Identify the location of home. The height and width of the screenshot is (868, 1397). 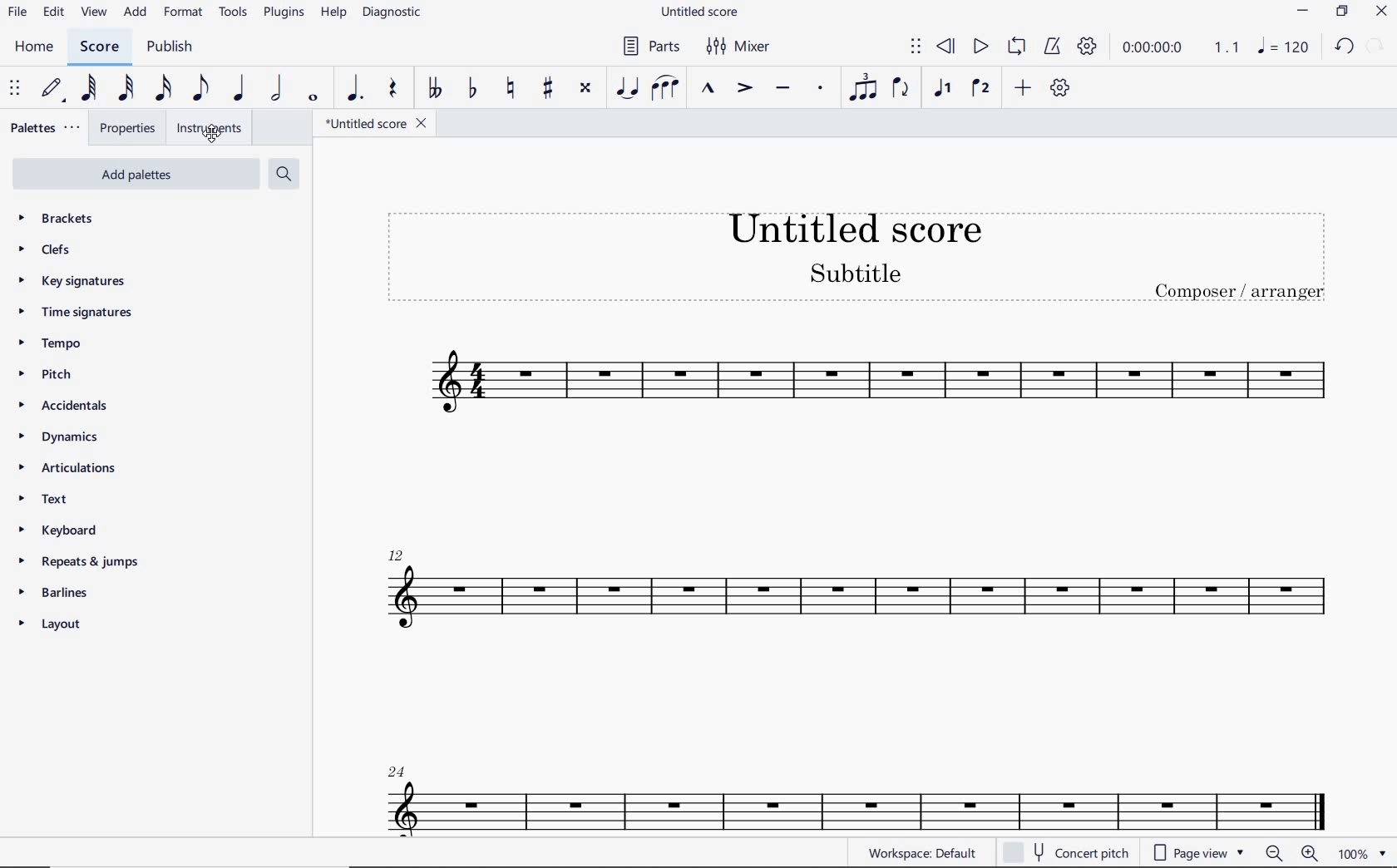
(38, 49).